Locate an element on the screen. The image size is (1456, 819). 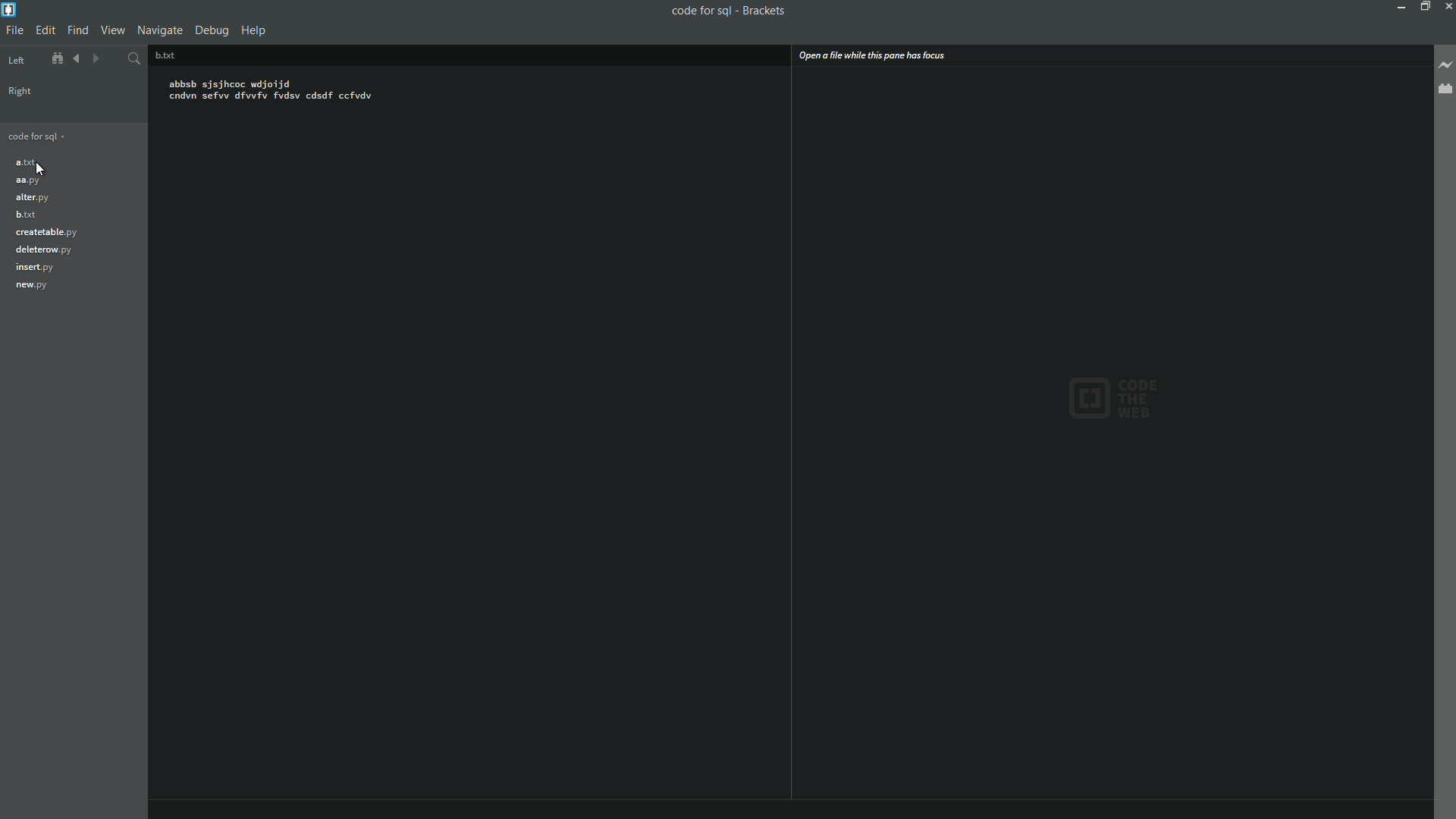
Maximize is located at coordinates (1423, 6).